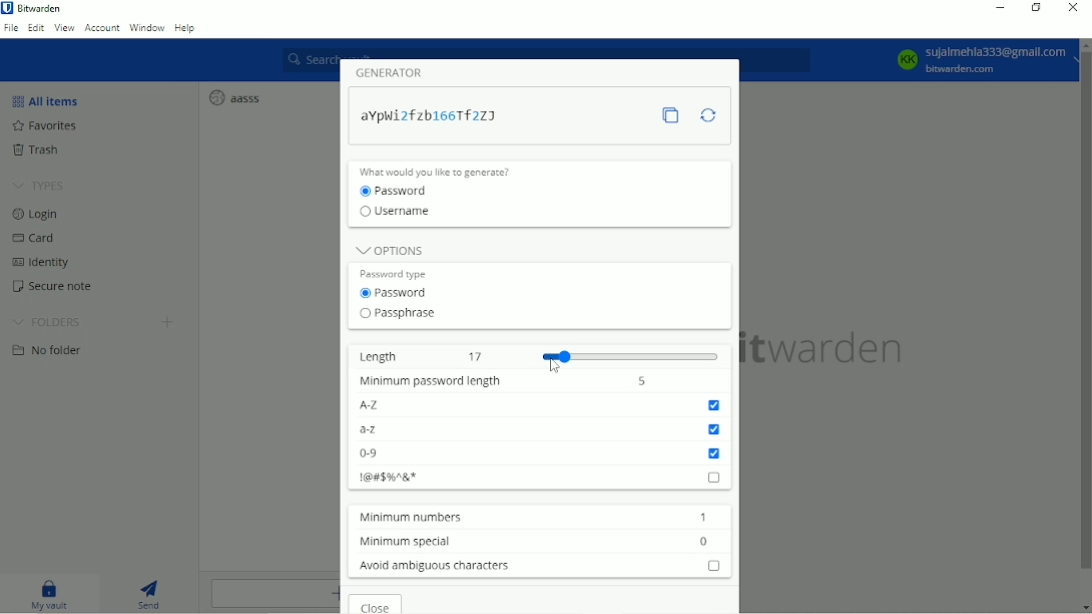 This screenshot has height=614, width=1092. Describe the element at coordinates (398, 314) in the screenshot. I see `Passphrase` at that location.